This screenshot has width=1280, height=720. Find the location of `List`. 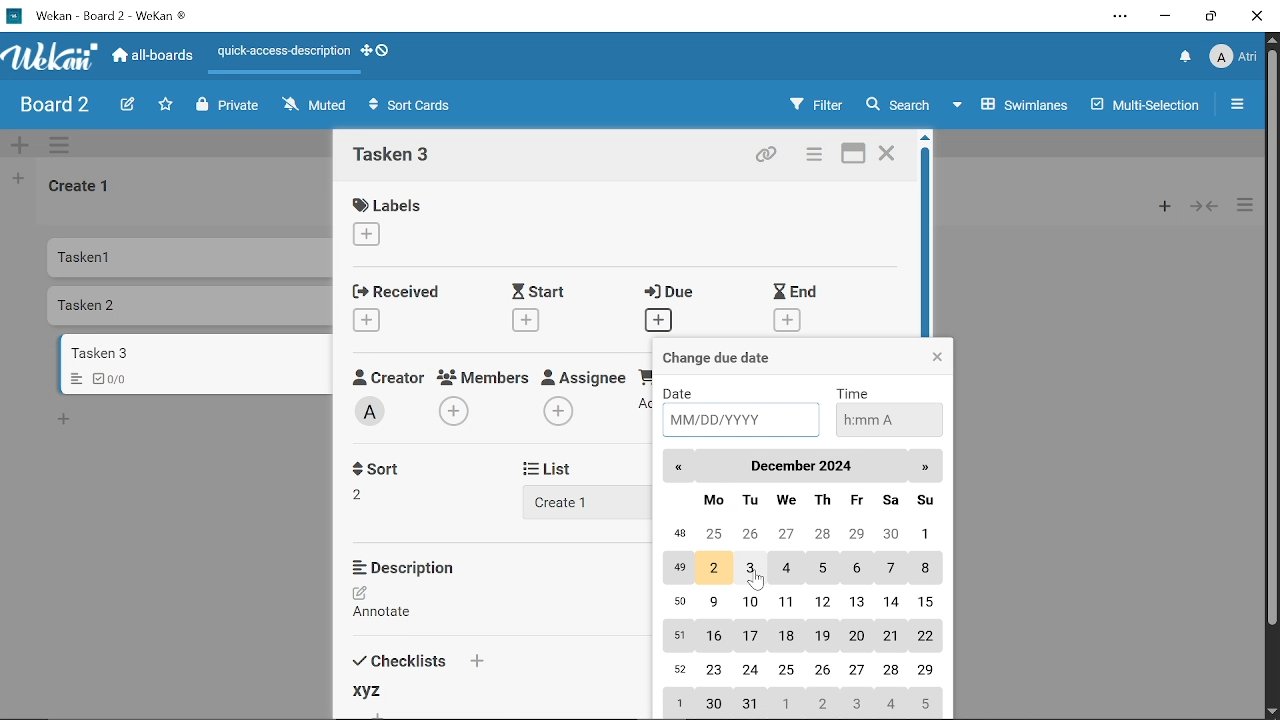

List is located at coordinates (560, 468).